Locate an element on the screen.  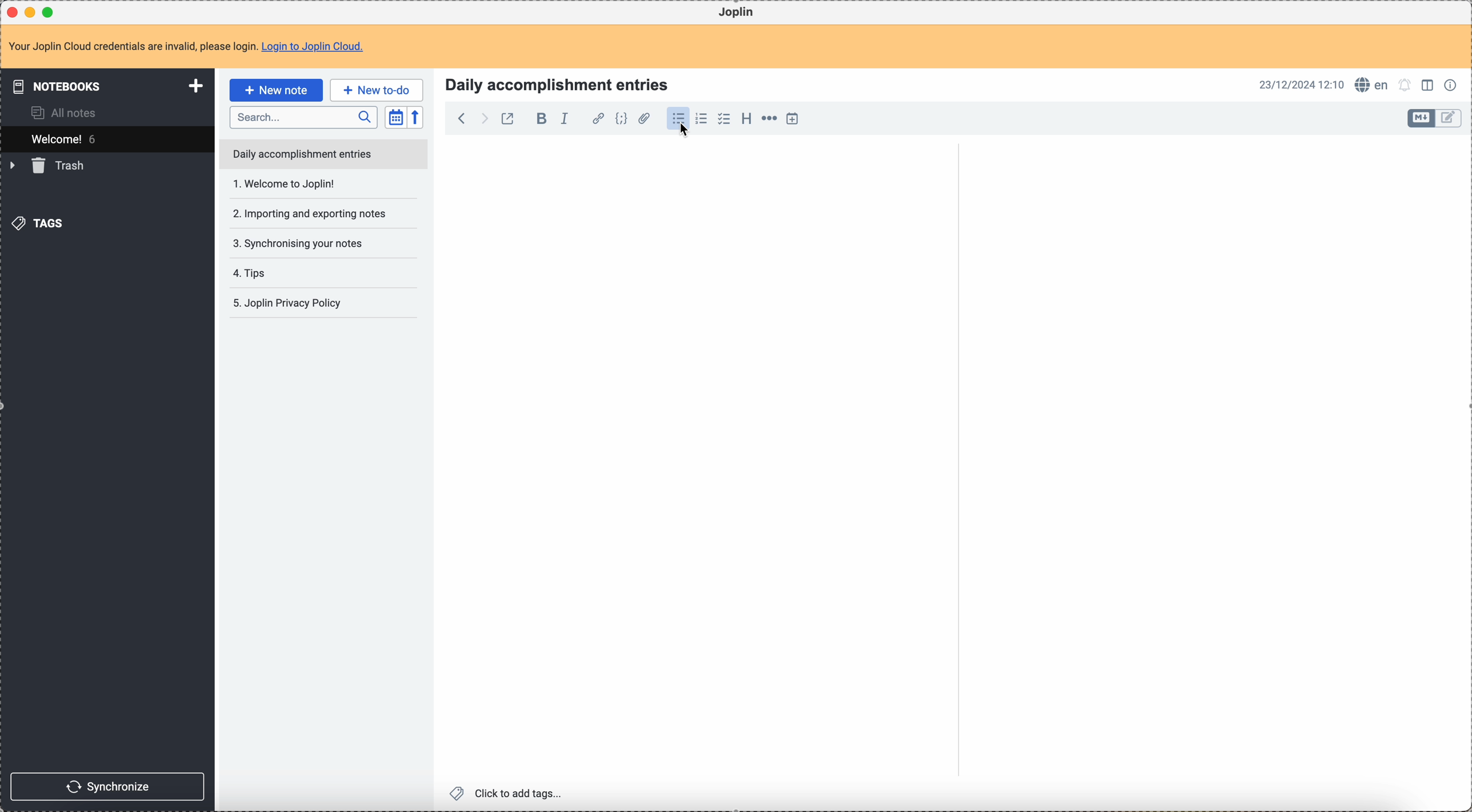
click on new note is located at coordinates (275, 90).